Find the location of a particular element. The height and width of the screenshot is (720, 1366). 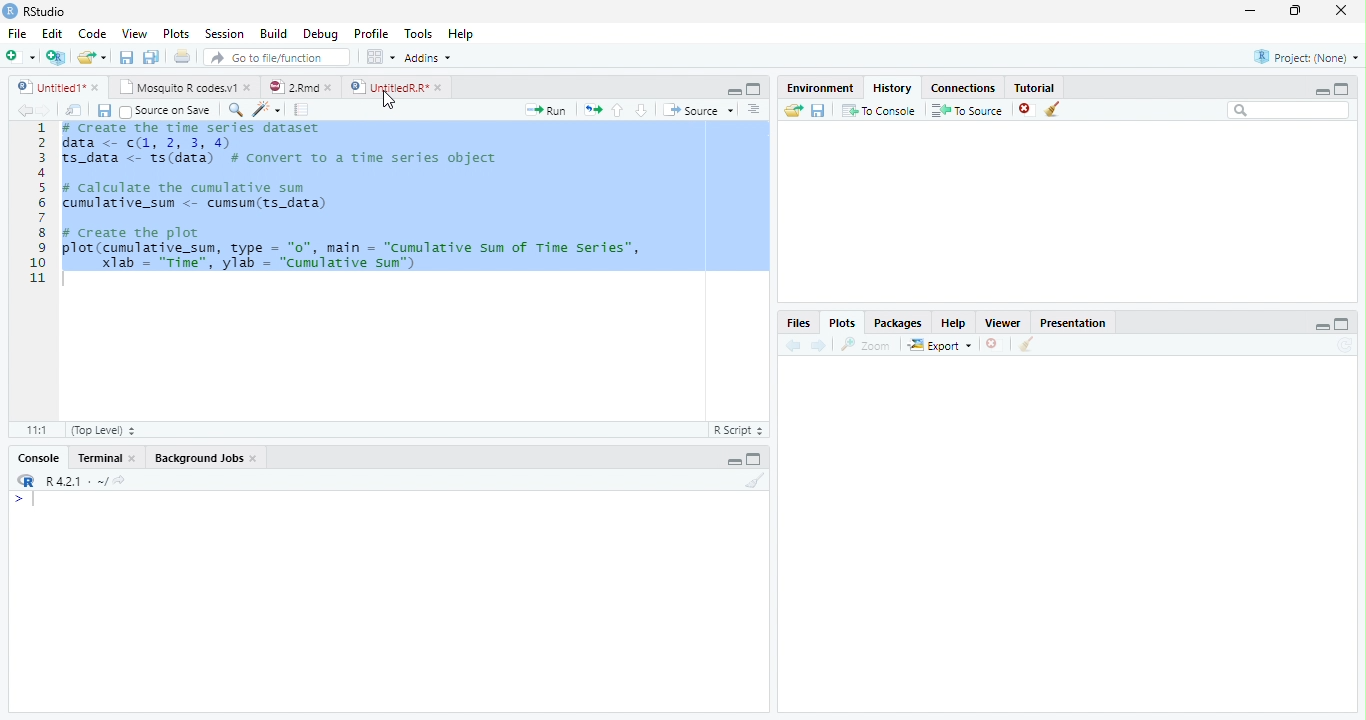

Minimize is located at coordinates (733, 462).